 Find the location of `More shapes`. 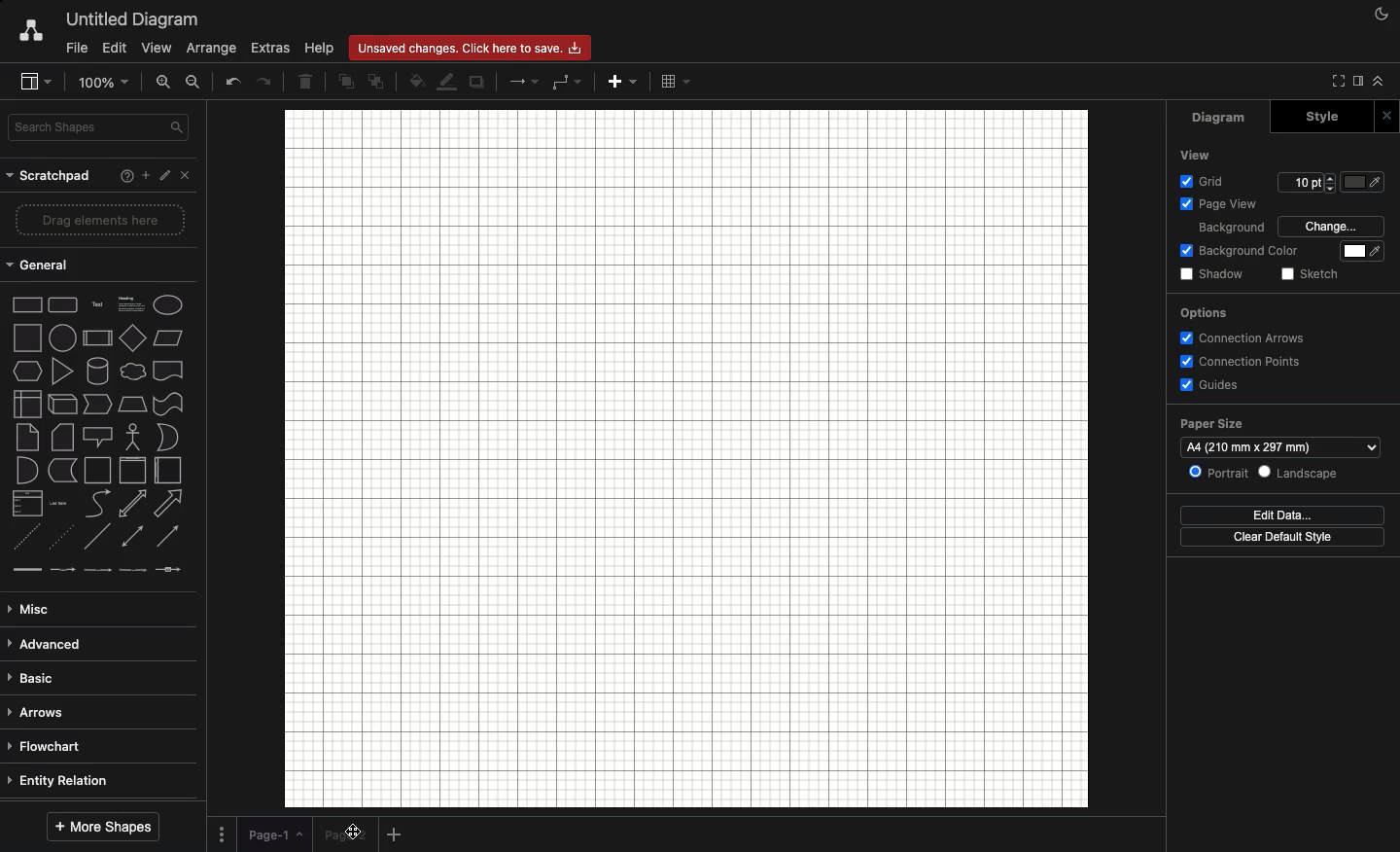

More shapes is located at coordinates (102, 829).